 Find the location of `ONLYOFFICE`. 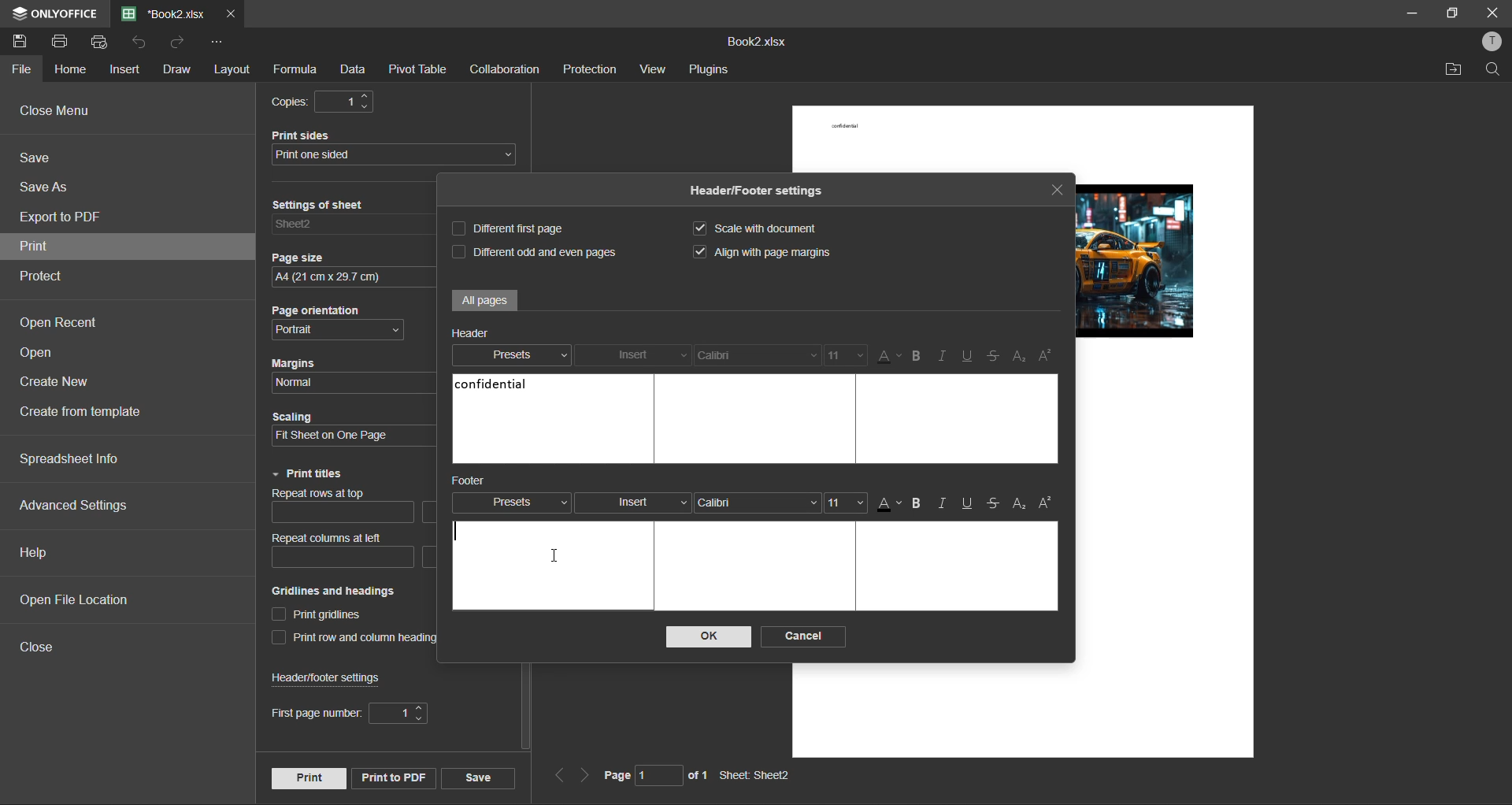

ONLYOFFICE is located at coordinates (70, 15).